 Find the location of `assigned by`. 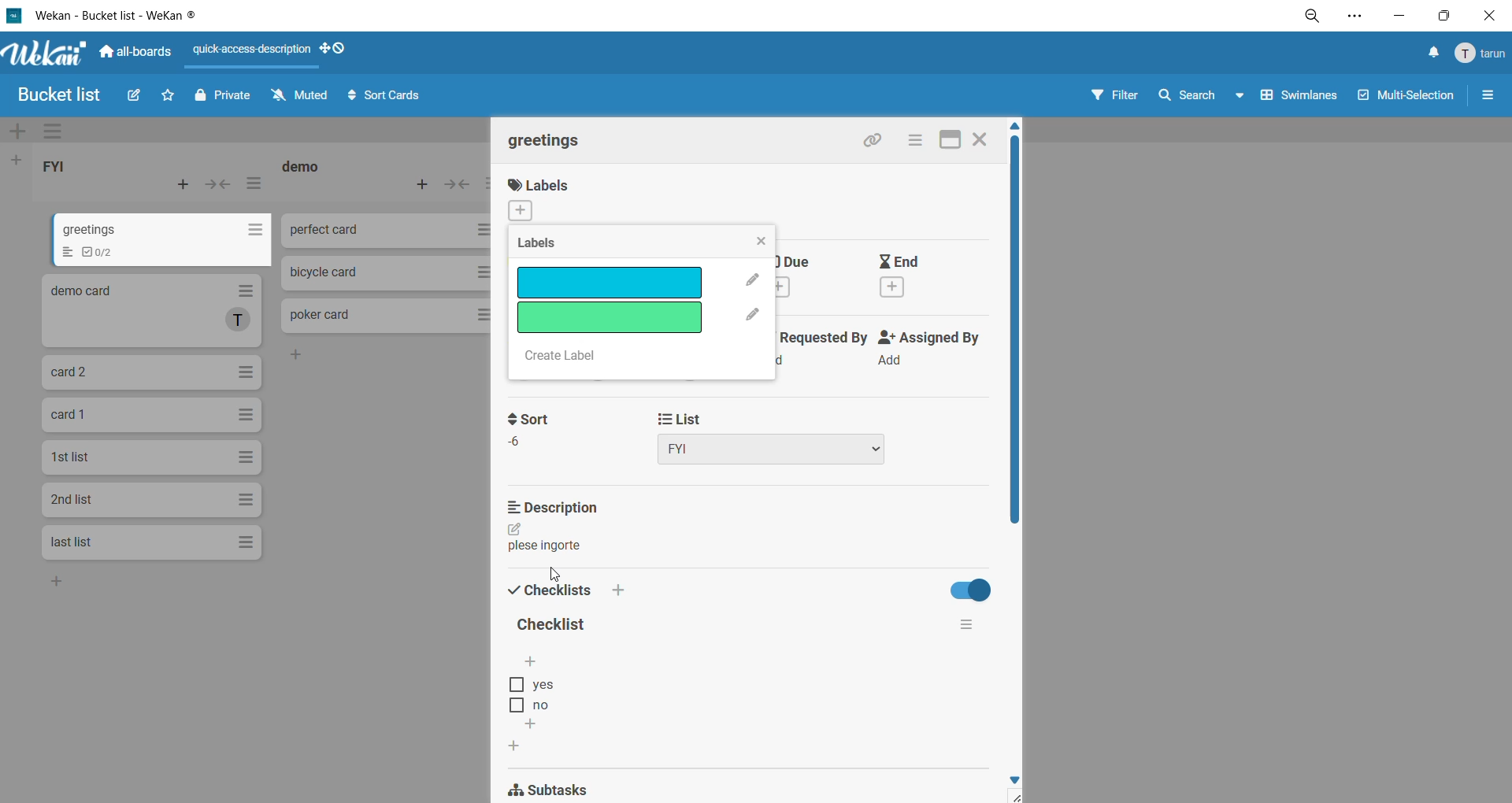

assigned by is located at coordinates (933, 353).